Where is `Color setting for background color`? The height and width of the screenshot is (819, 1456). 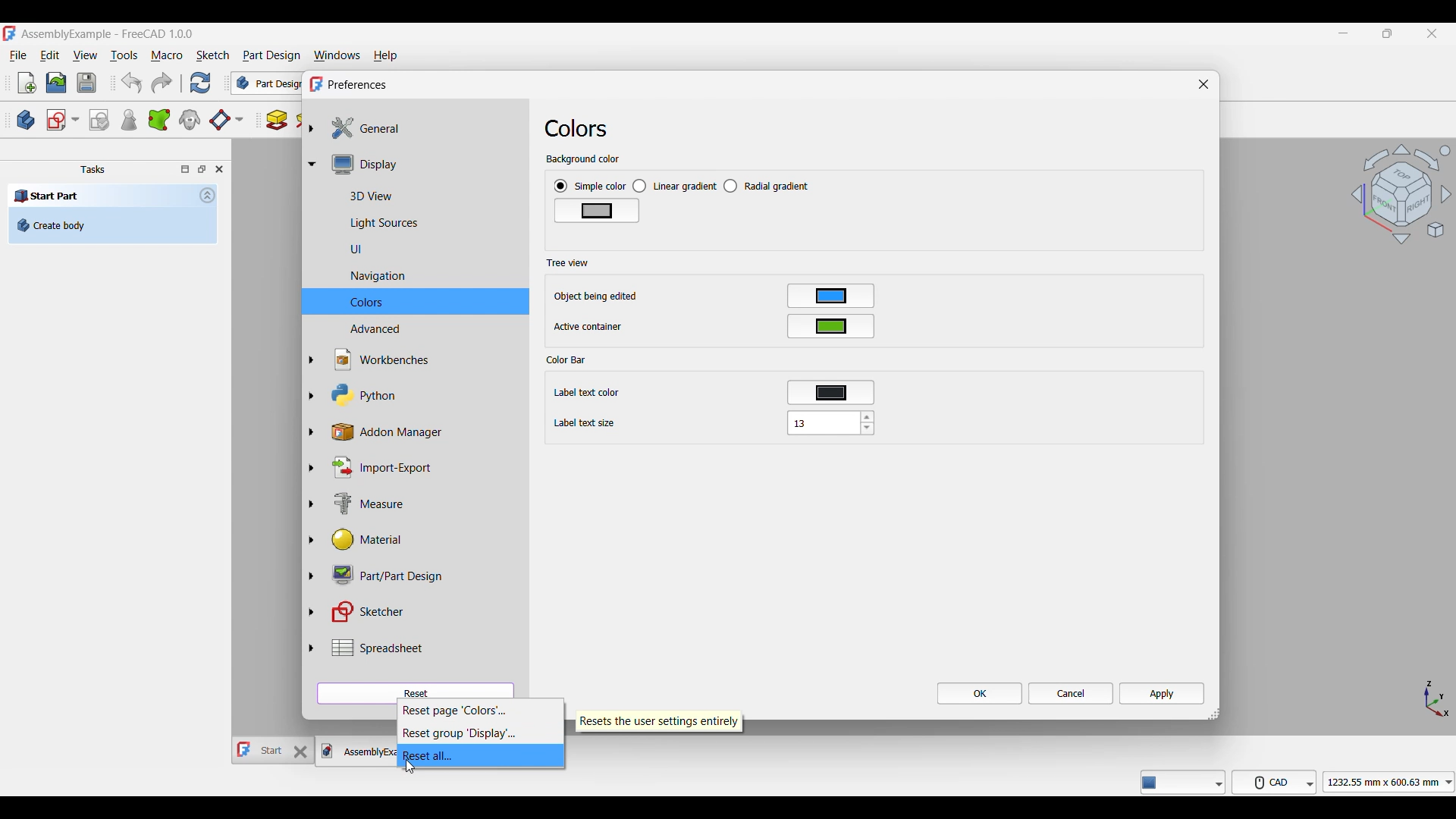
Color setting for background color is located at coordinates (598, 211).